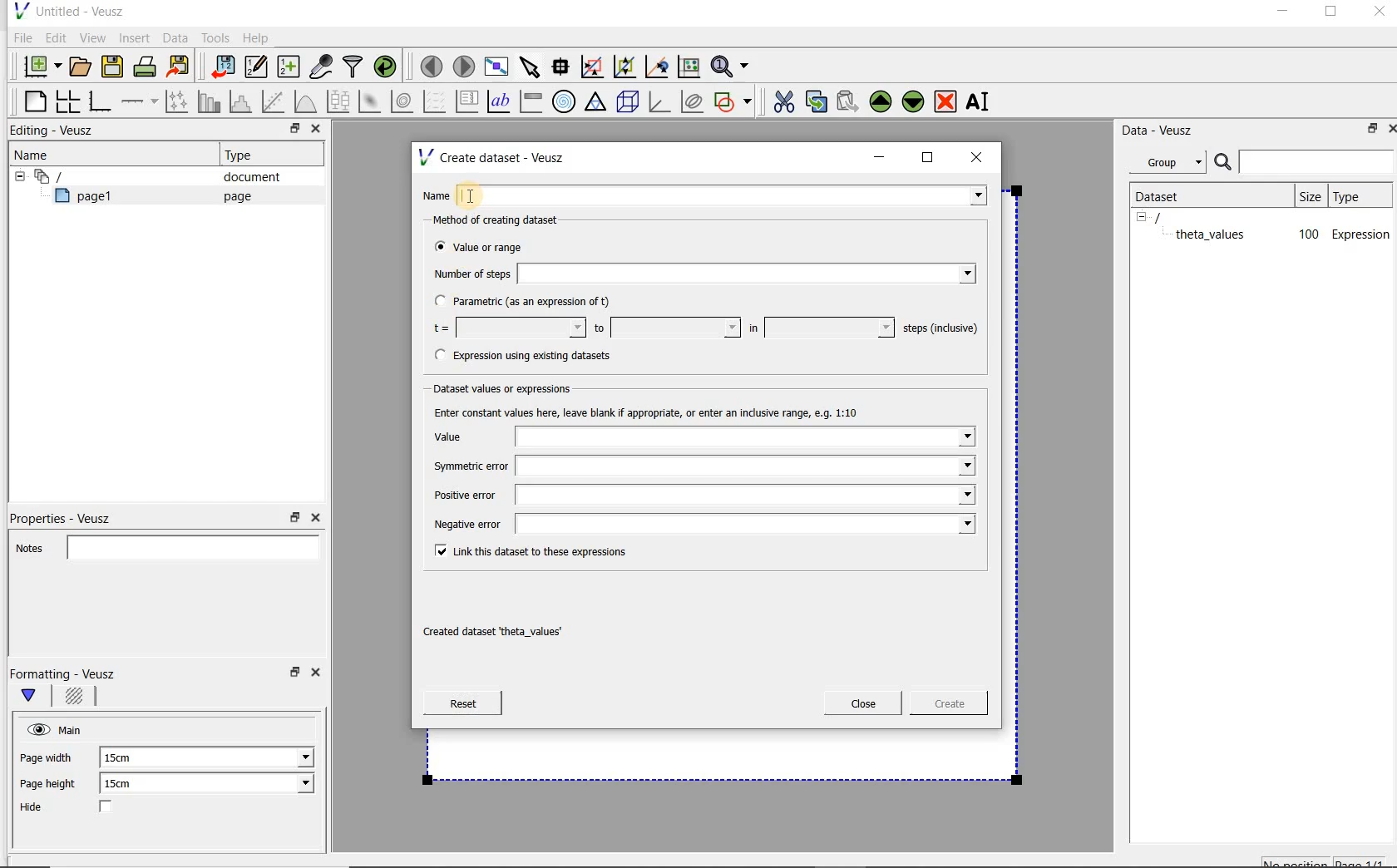 This screenshot has height=868, width=1397. I want to click on add a shape to the plot, so click(734, 100).